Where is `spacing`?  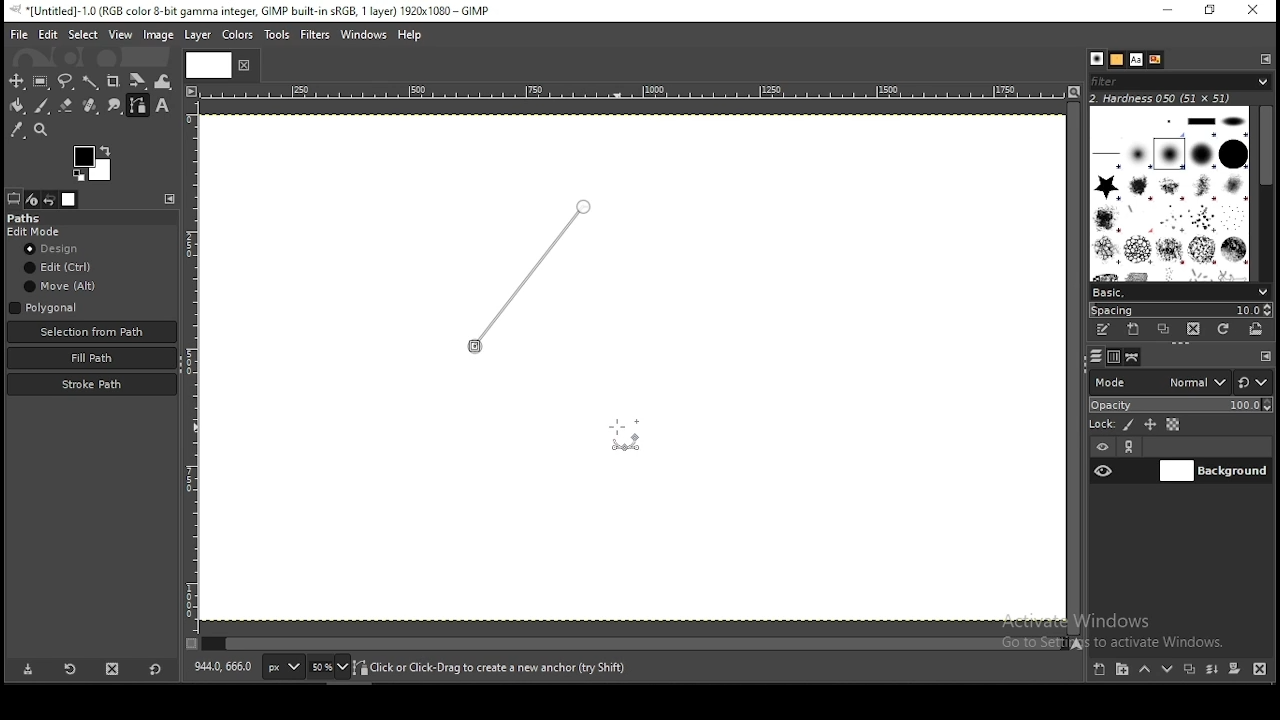
spacing is located at coordinates (1180, 310).